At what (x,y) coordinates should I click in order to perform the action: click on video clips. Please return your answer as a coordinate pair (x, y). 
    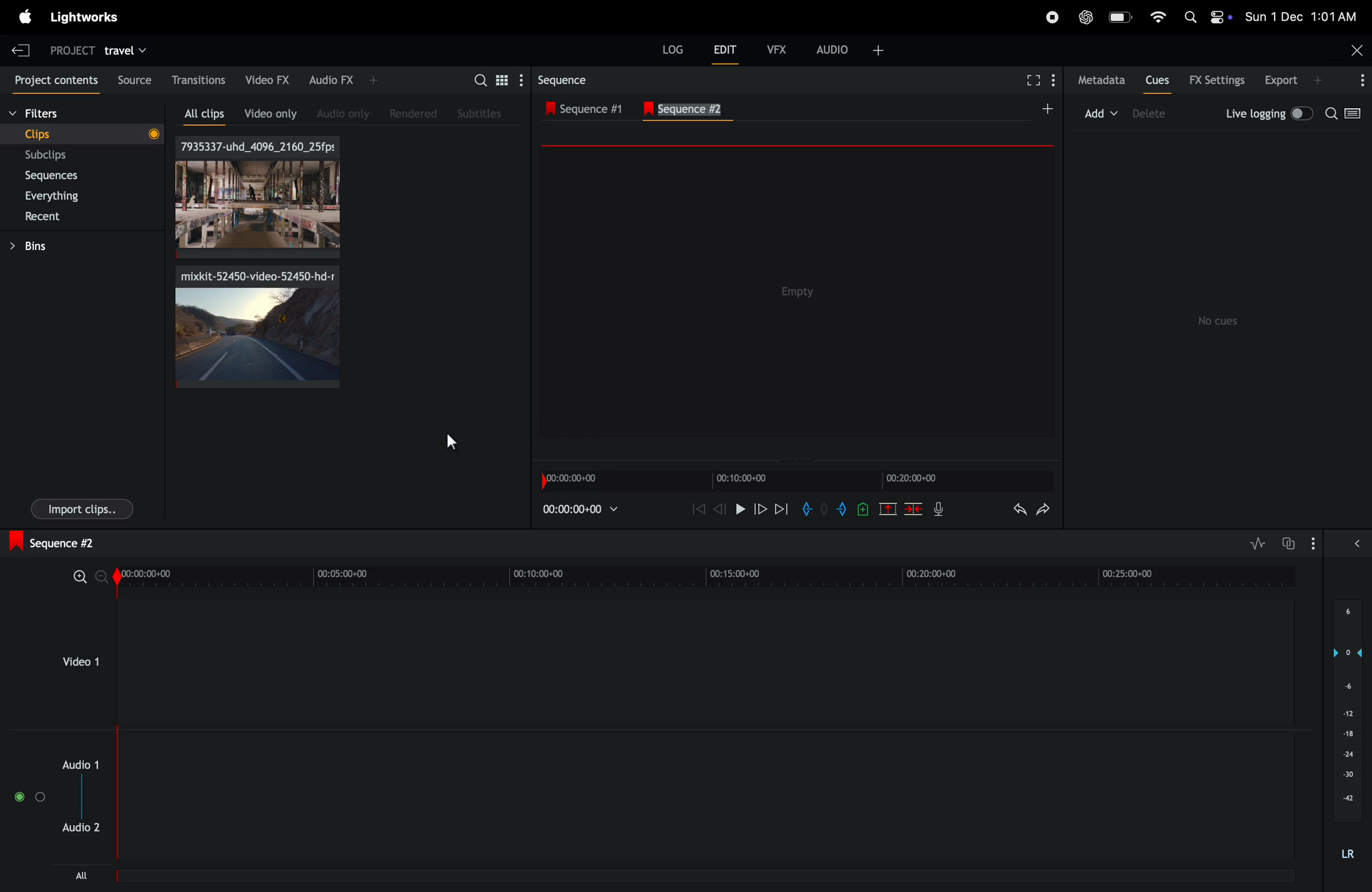
    Looking at the image, I should click on (79, 663).